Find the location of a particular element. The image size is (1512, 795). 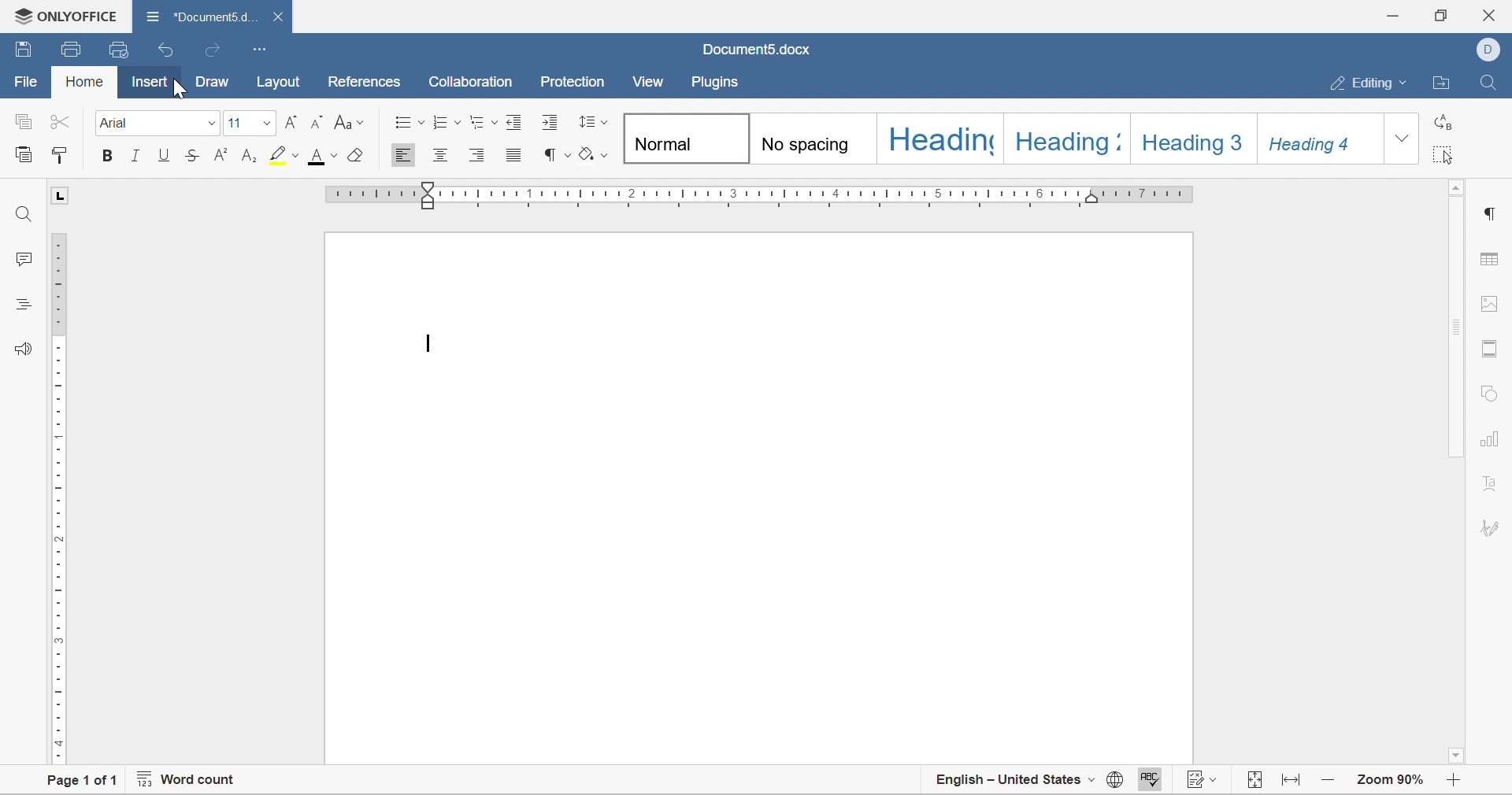

quick print is located at coordinates (120, 47).